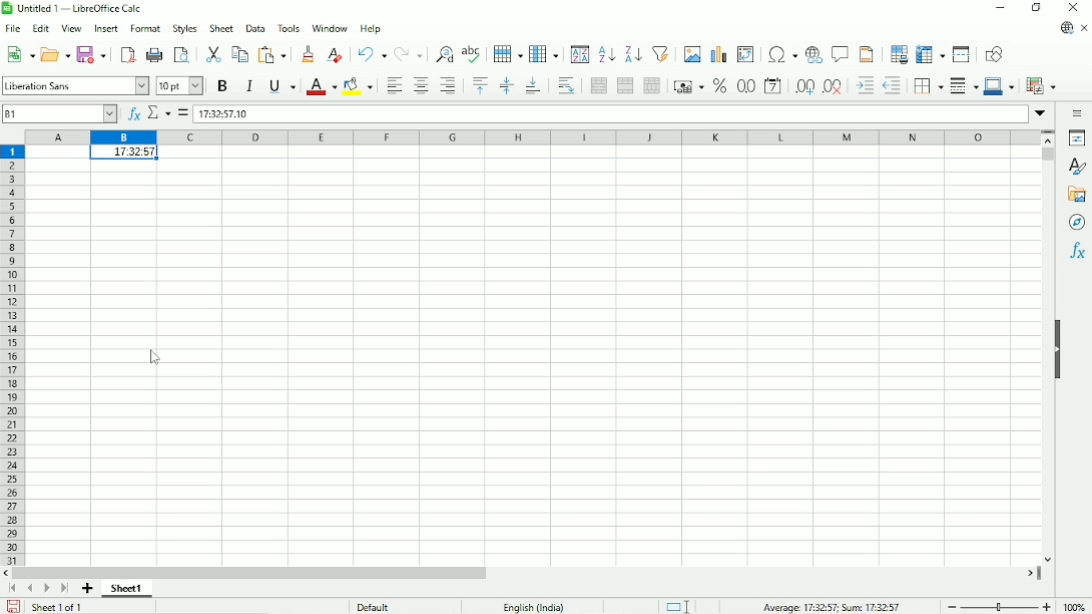 Image resolution: width=1092 pixels, height=614 pixels. I want to click on Freeze rows and columns, so click(930, 54).